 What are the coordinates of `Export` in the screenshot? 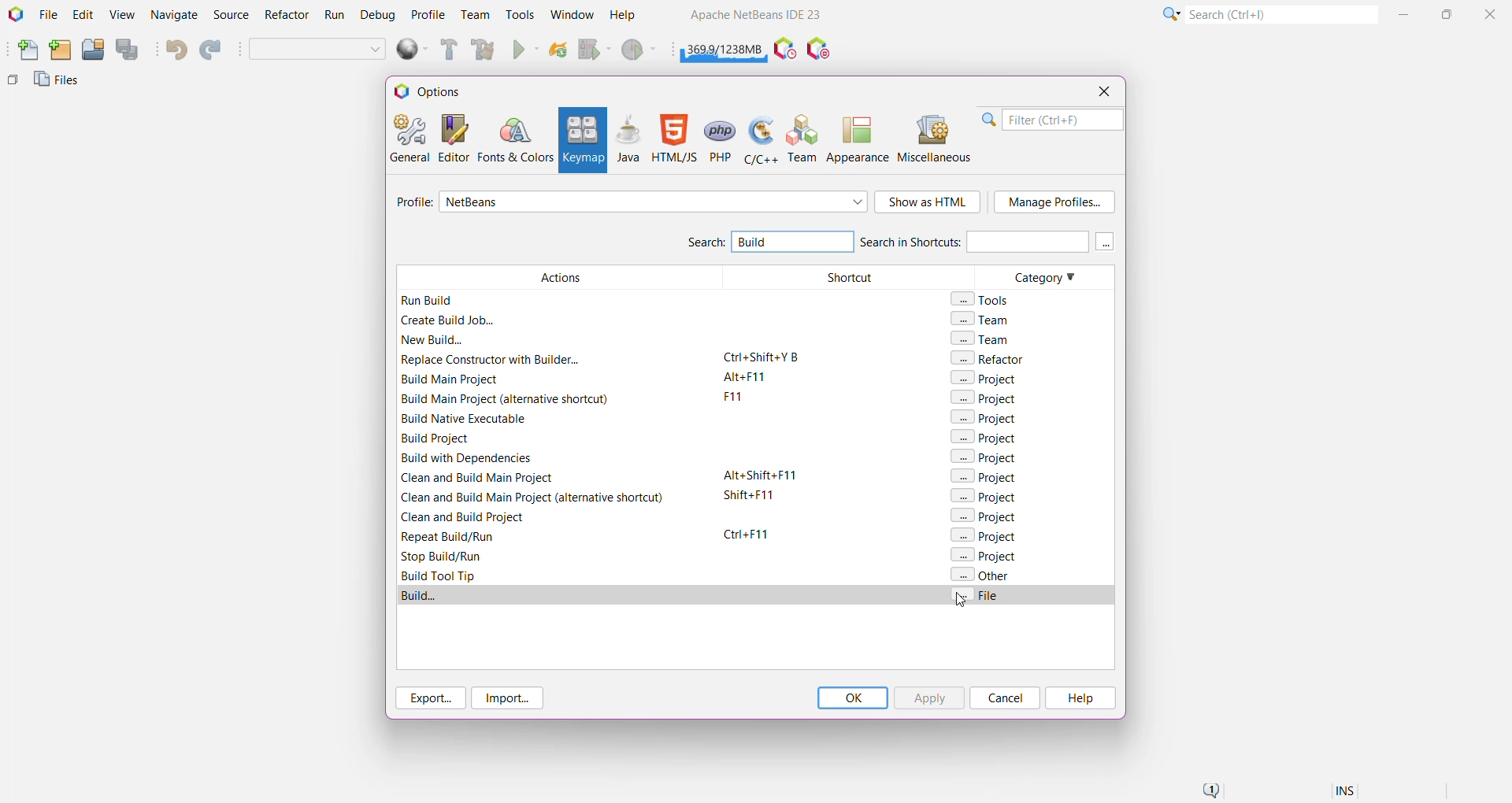 It's located at (428, 698).